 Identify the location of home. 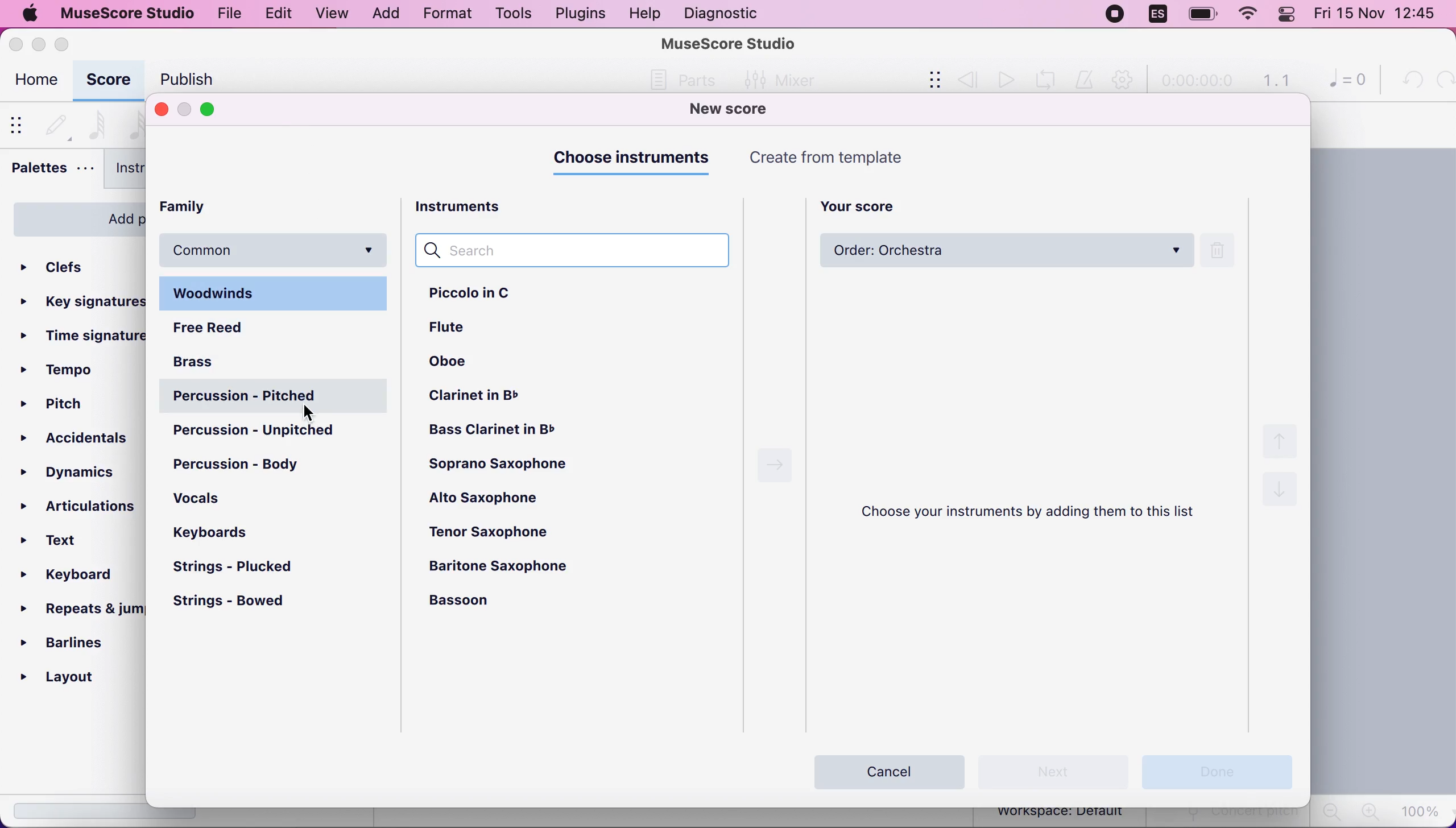
(35, 82).